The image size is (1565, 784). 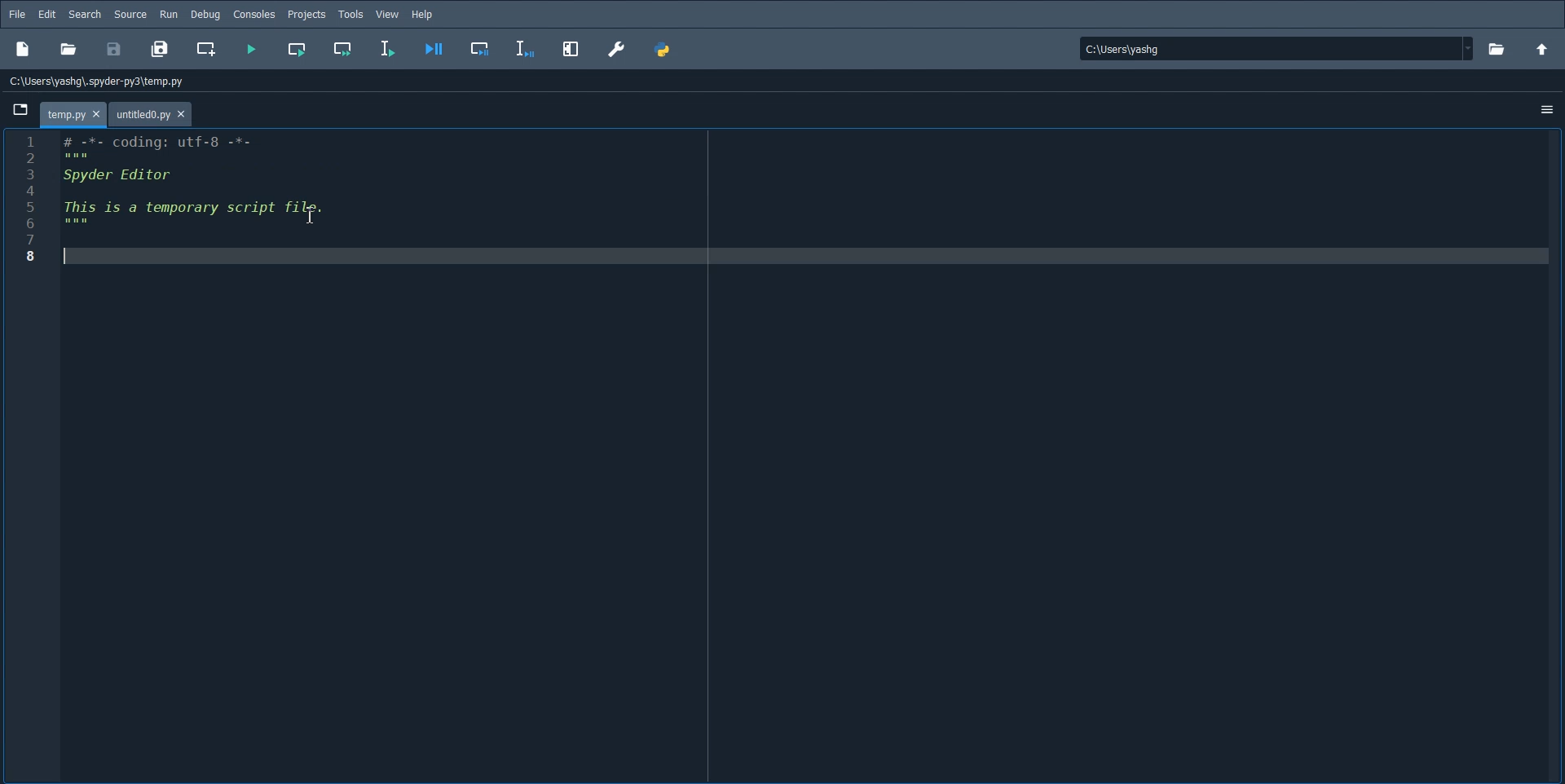 What do you see at coordinates (131, 15) in the screenshot?
I see `source` at bounding box center [131, 15].